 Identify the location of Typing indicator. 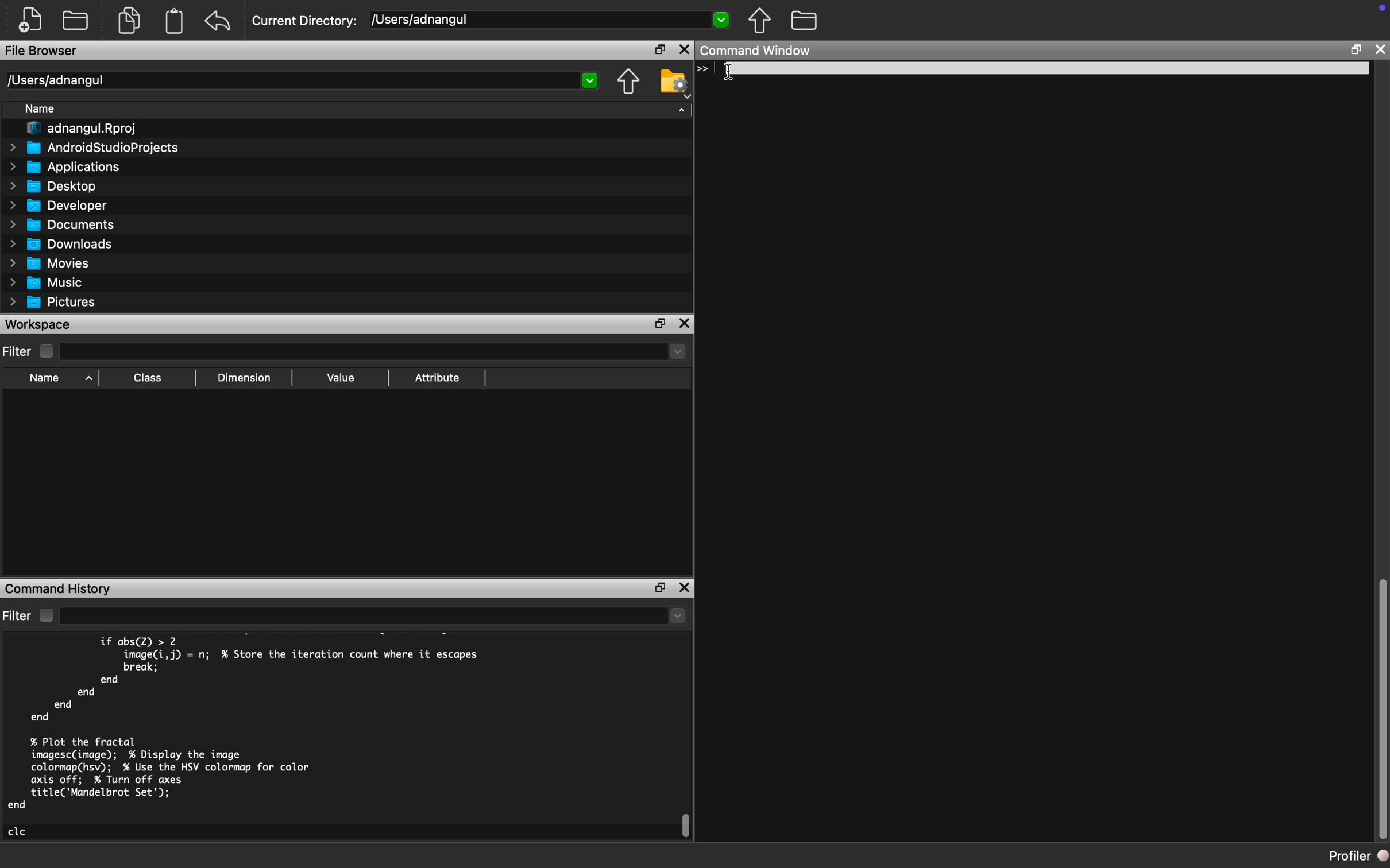
(709, 69).